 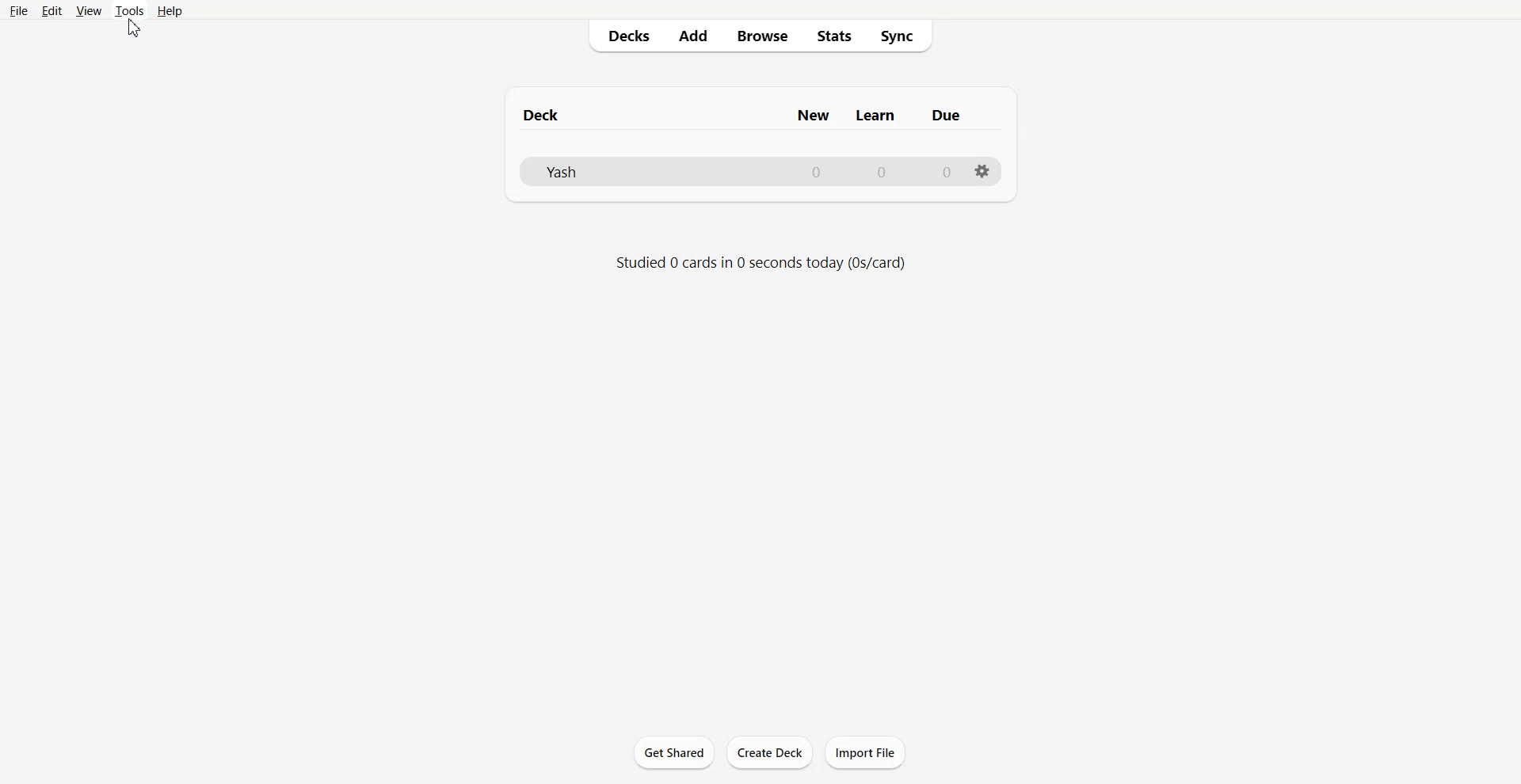 I want to click on Number of due cards, so click(x=947, y=172).